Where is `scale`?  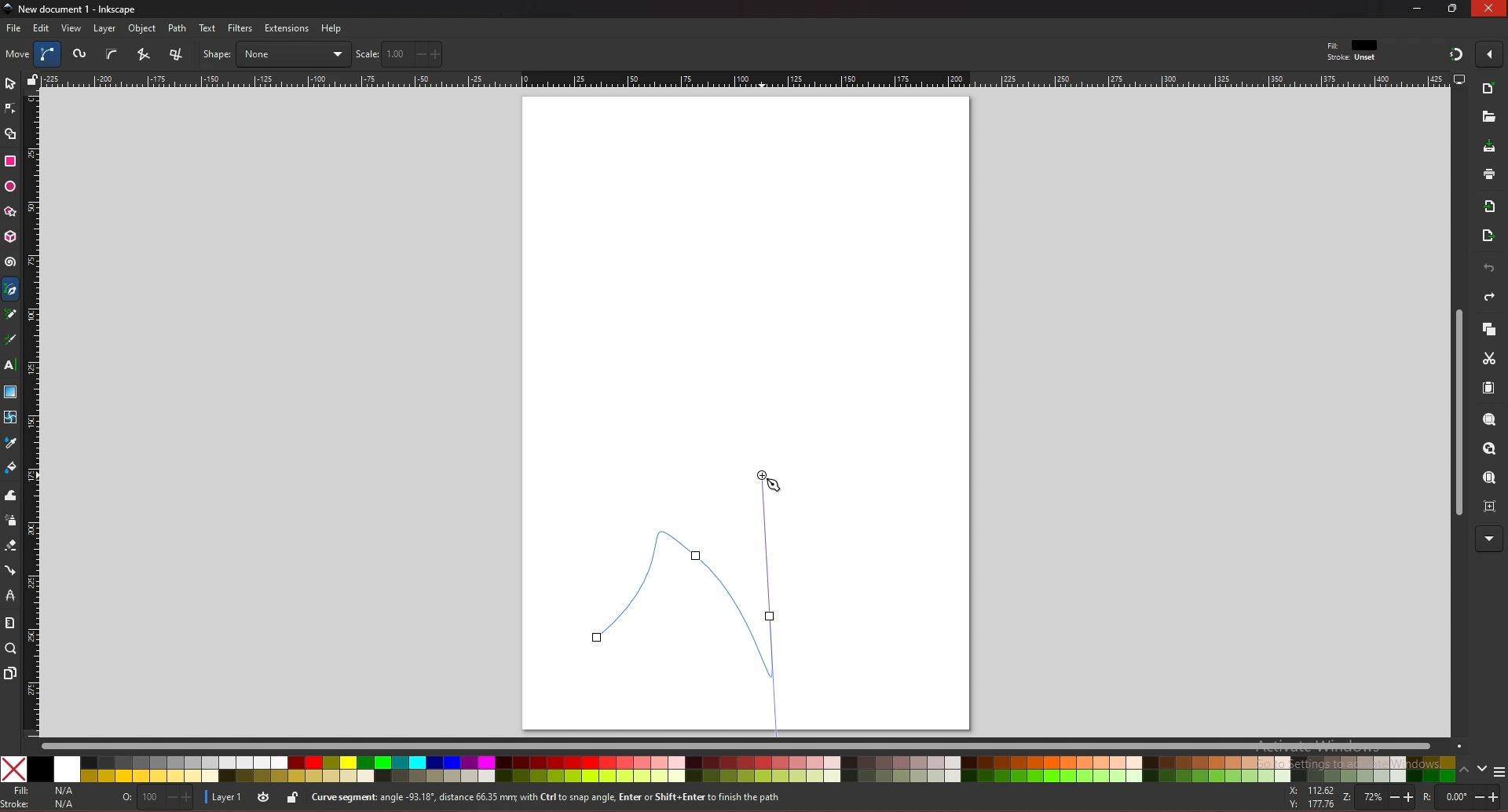
scale is located at coordinates (399, 53).